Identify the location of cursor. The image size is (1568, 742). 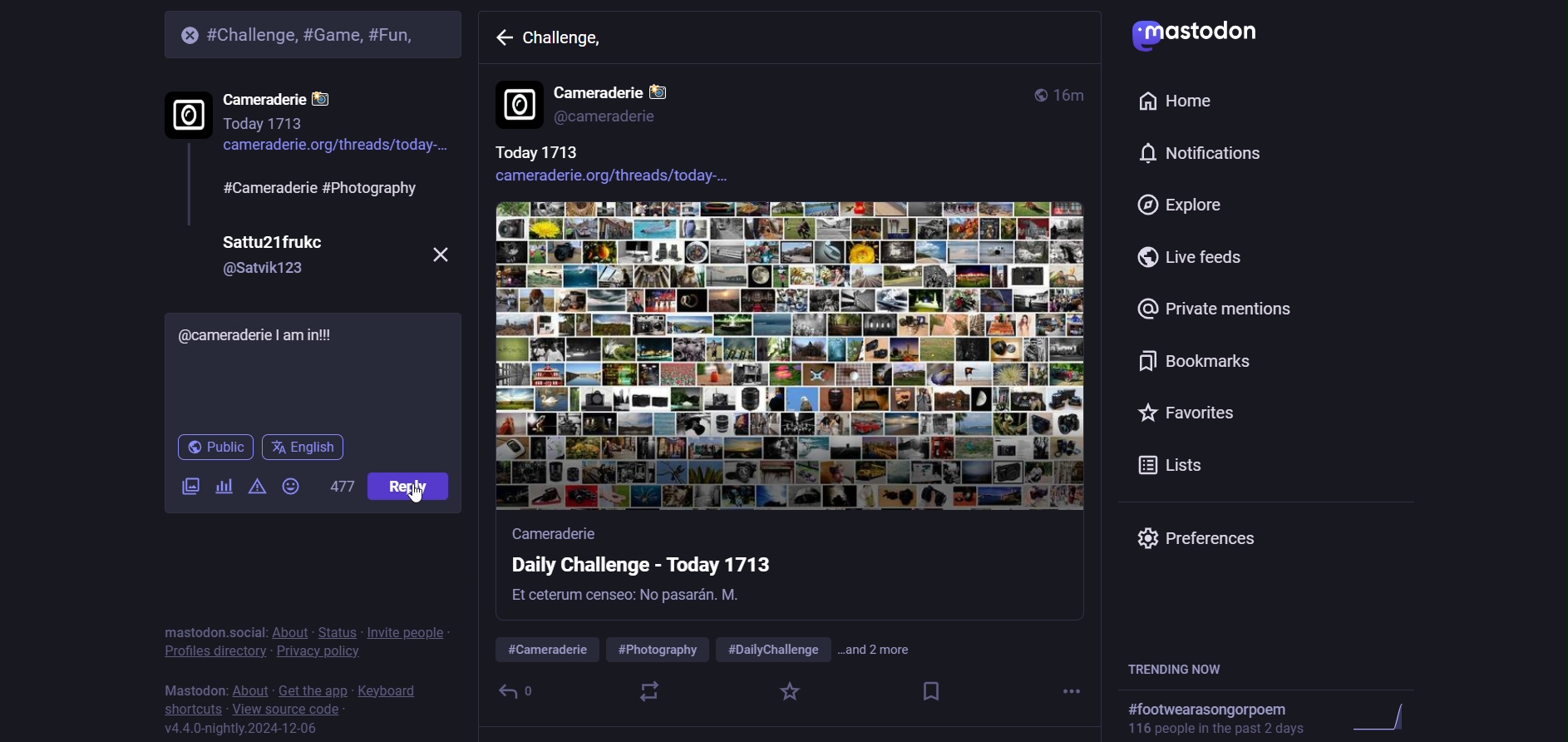
(412, 498).